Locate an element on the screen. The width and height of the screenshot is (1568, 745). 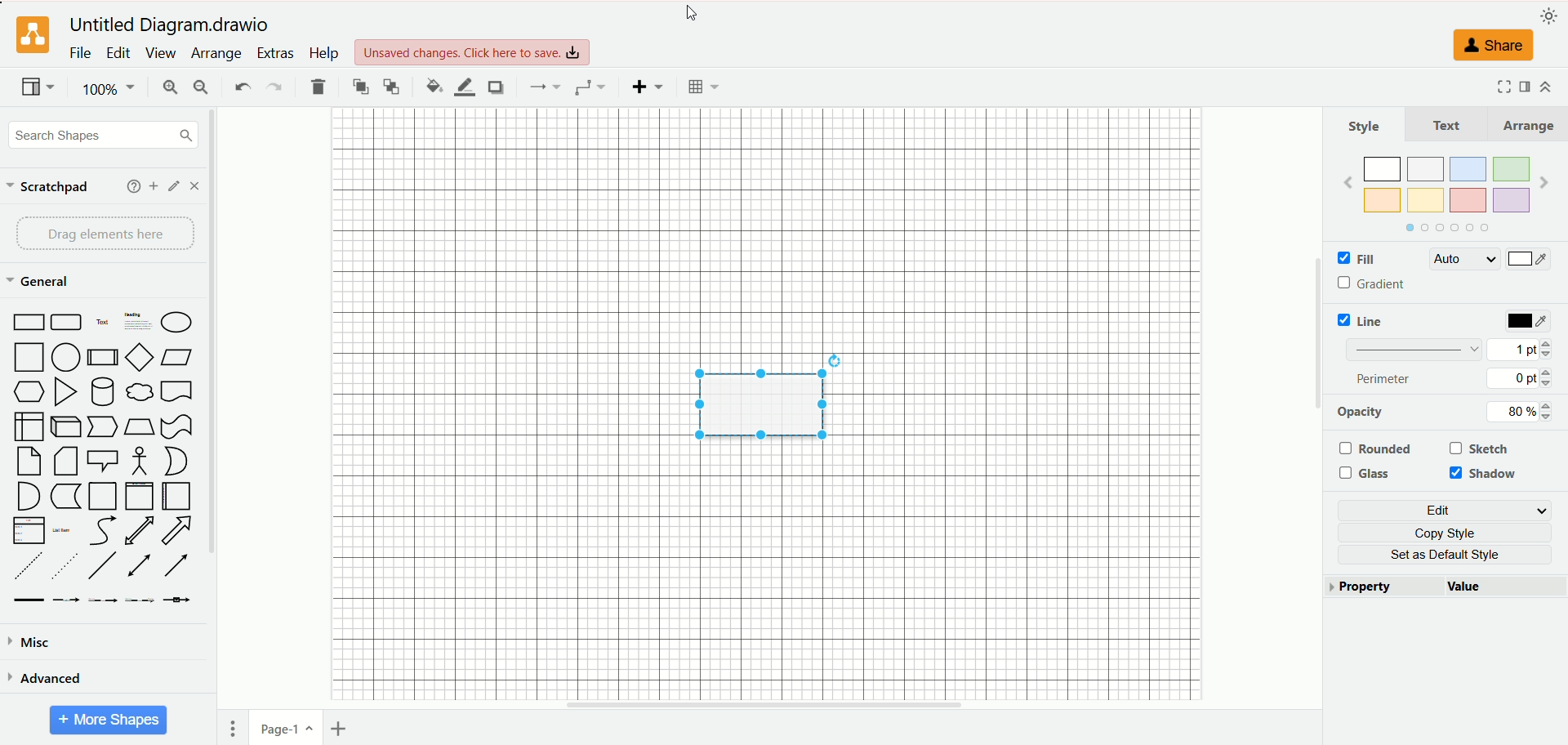
shadow is located at coordinates (1486, 475).